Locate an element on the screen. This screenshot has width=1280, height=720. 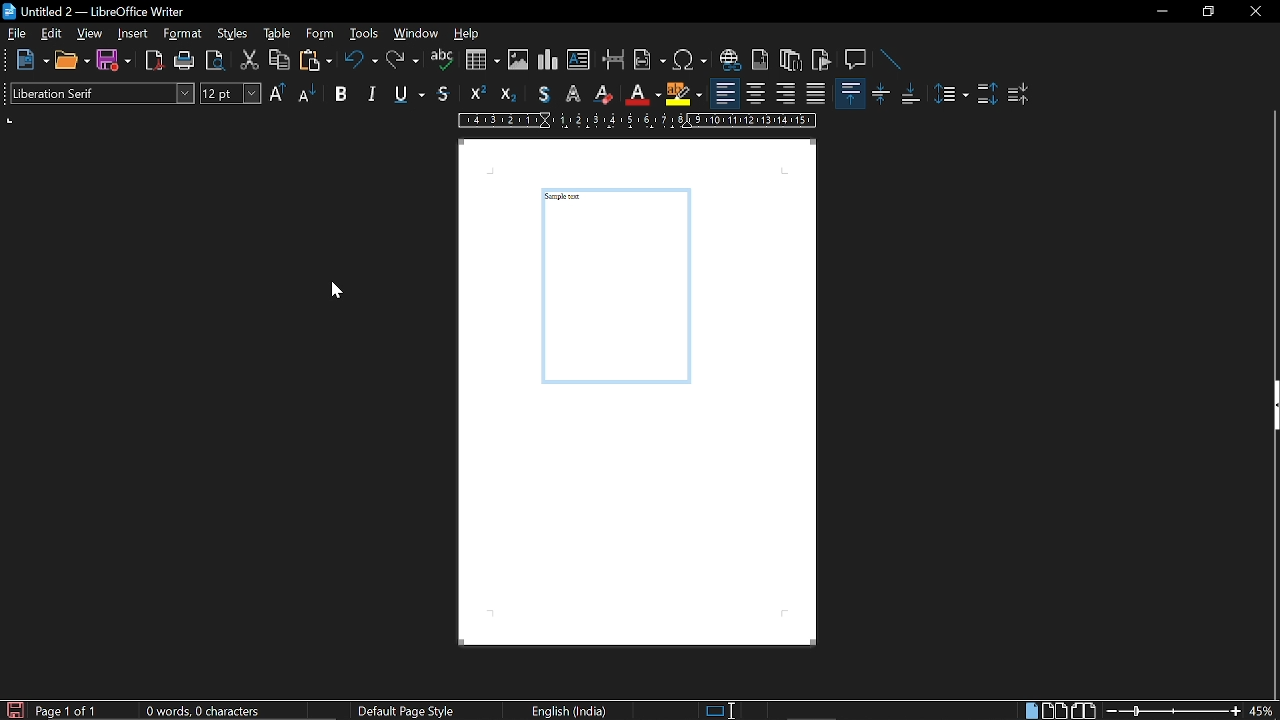
0 words 0 character is located at coordinates (200, 711).